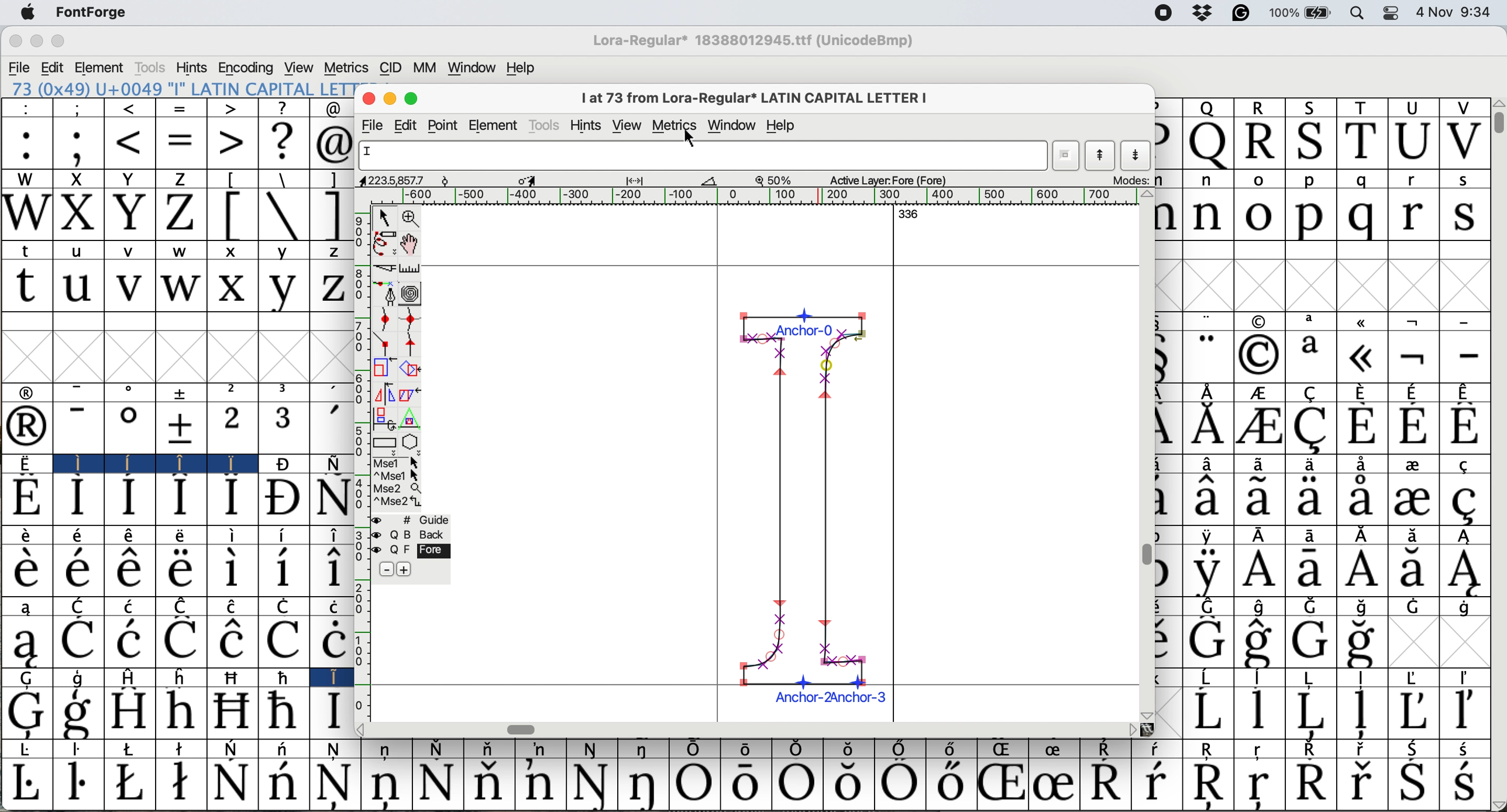 This screenshot has width=1507, height=812. I want to click on Symbol, so click(1465, 502).